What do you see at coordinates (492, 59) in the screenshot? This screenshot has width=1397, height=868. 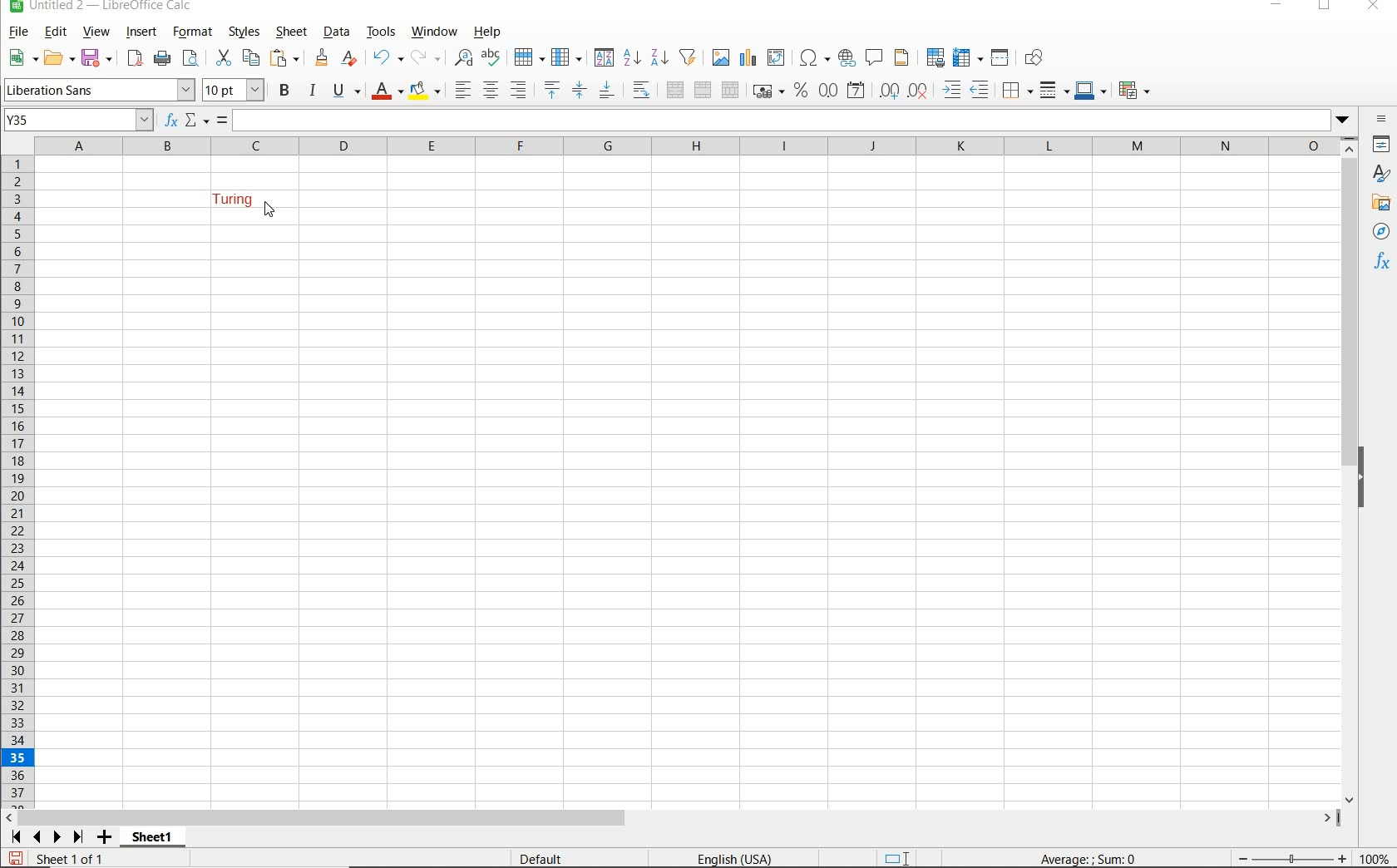 I see `SPELLING` at bounding box center [492, 59].